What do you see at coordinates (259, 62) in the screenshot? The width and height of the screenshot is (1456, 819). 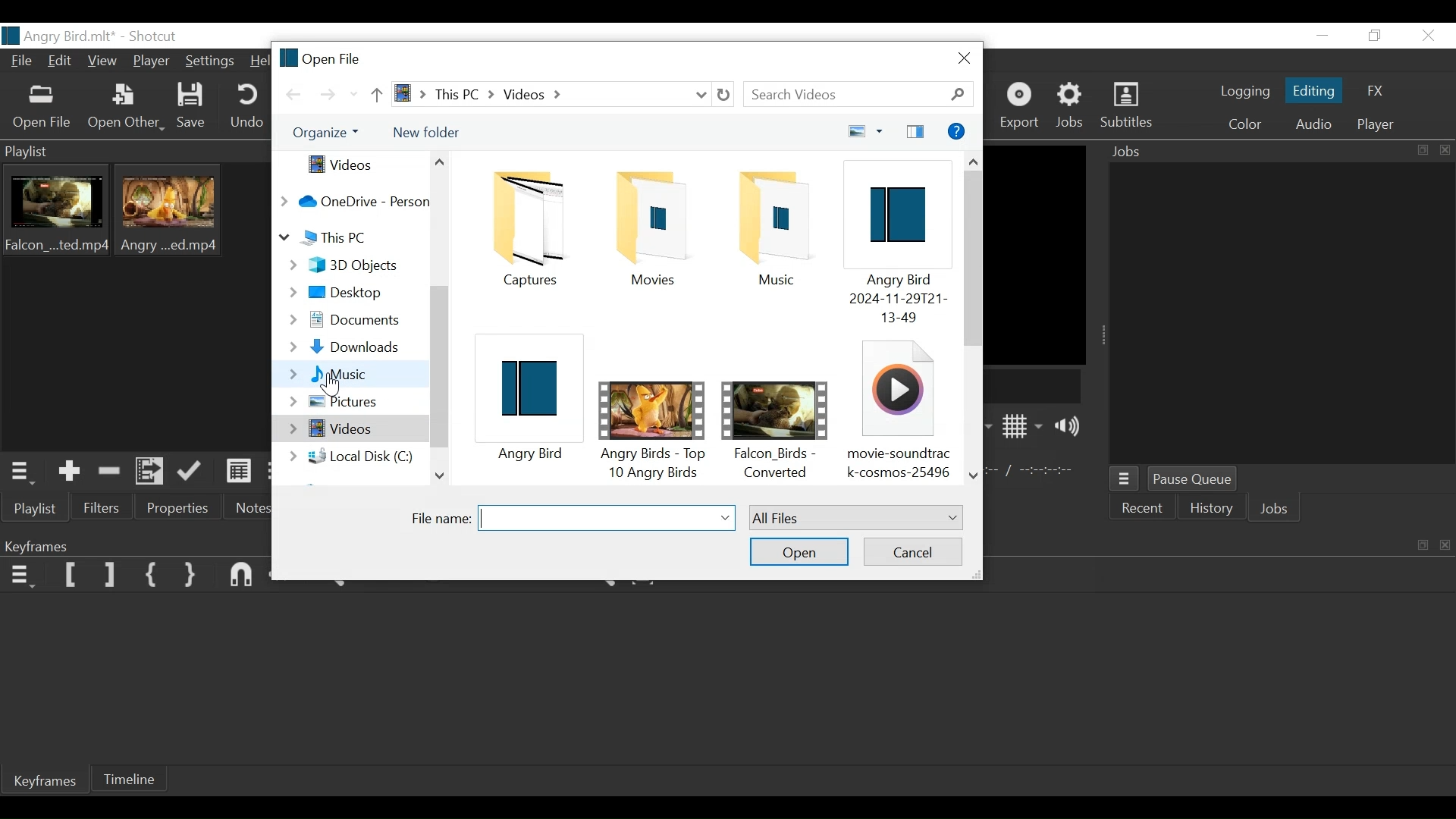 I see `Help` at bounding box center [259, 62].